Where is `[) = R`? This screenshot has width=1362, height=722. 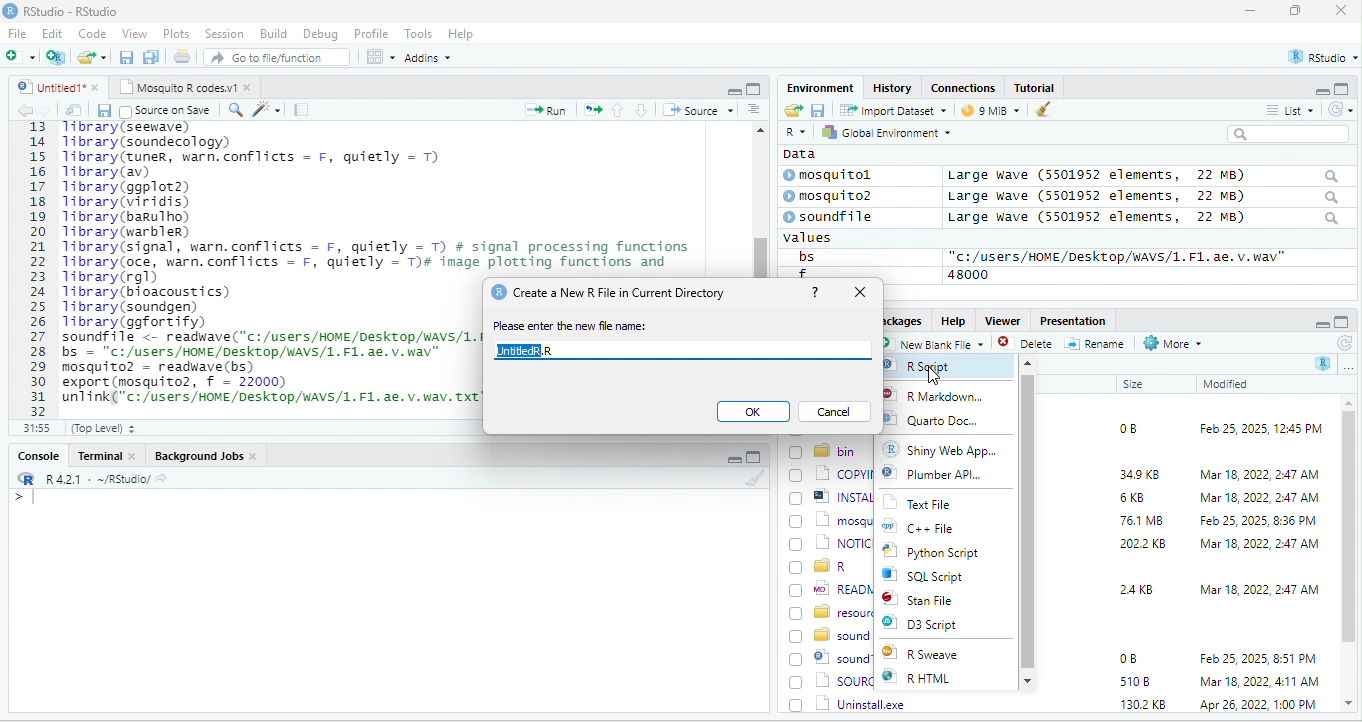
[) = R is located at coordinates (830, 567).